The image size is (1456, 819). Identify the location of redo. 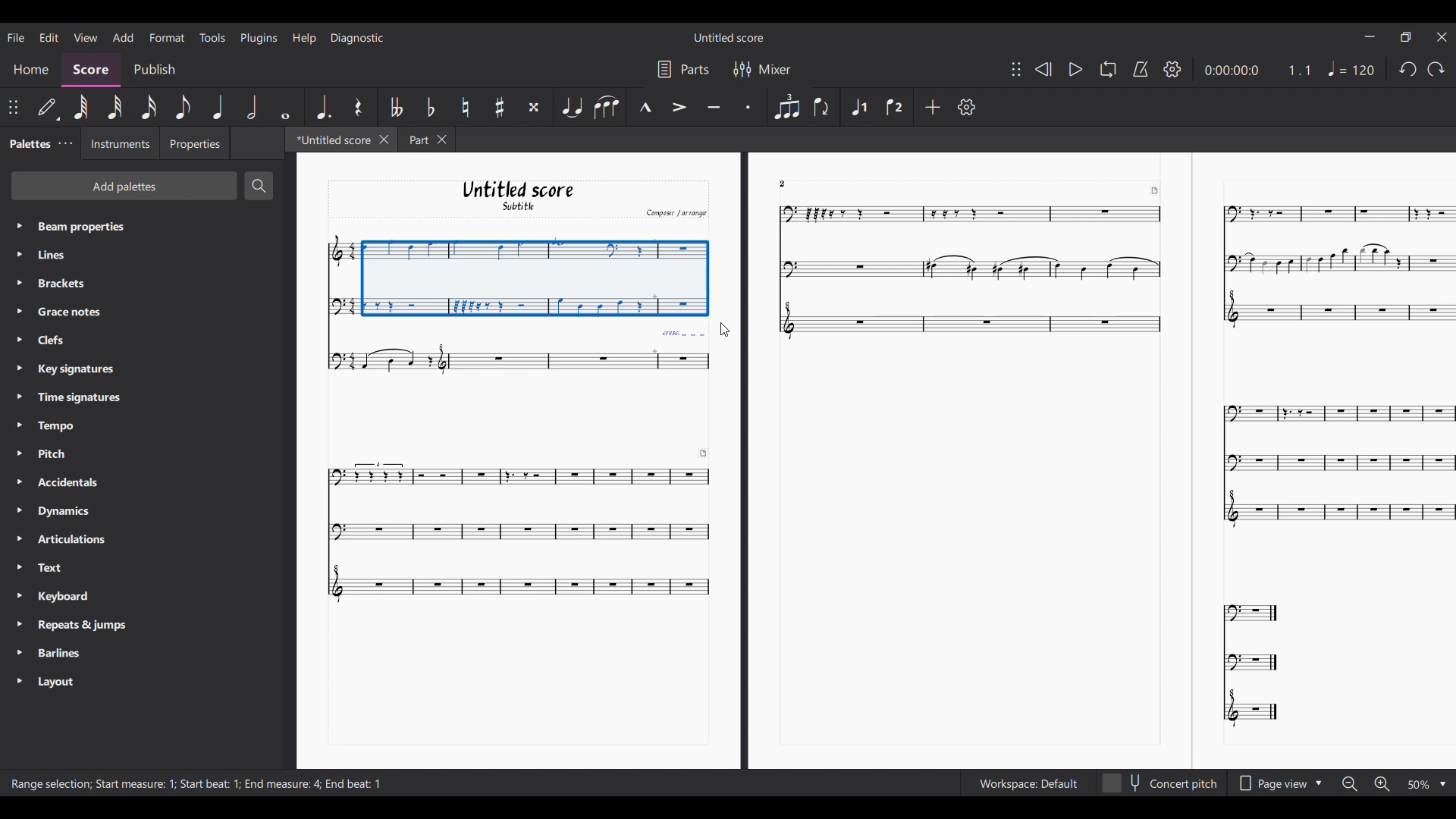
(1406, 73).